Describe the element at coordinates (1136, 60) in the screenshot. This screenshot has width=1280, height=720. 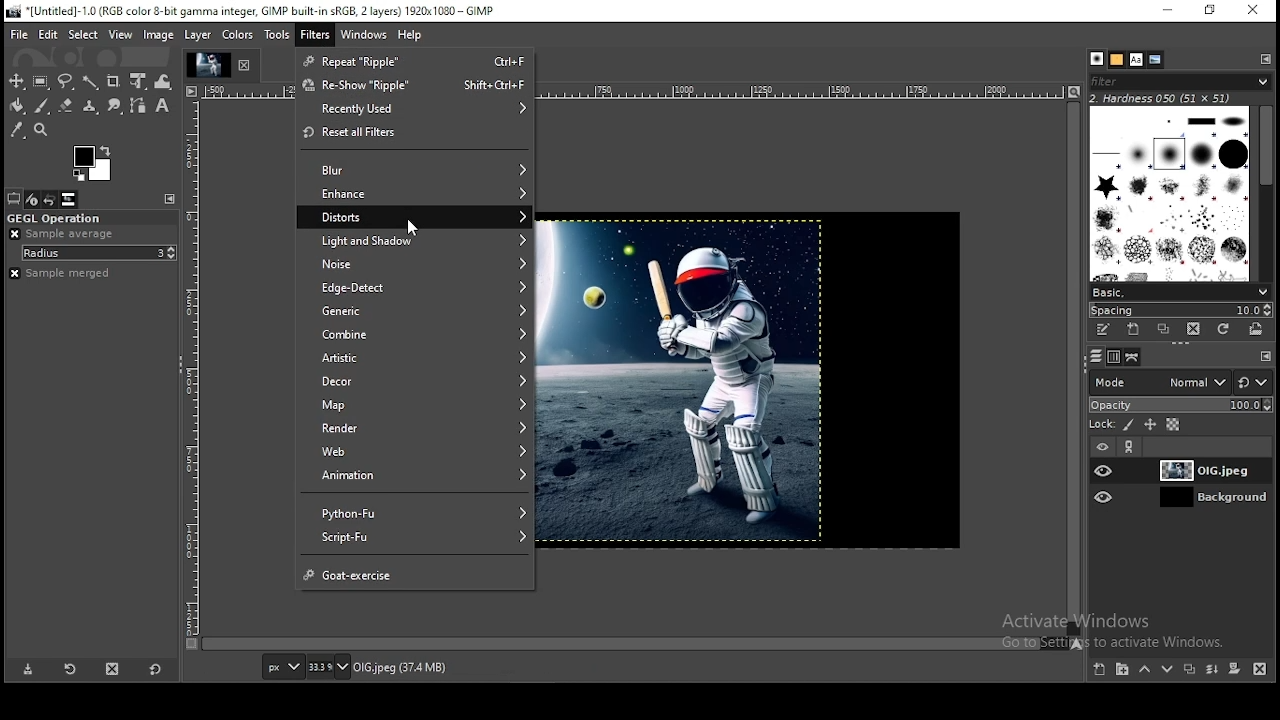
I see `fonts` at that location.